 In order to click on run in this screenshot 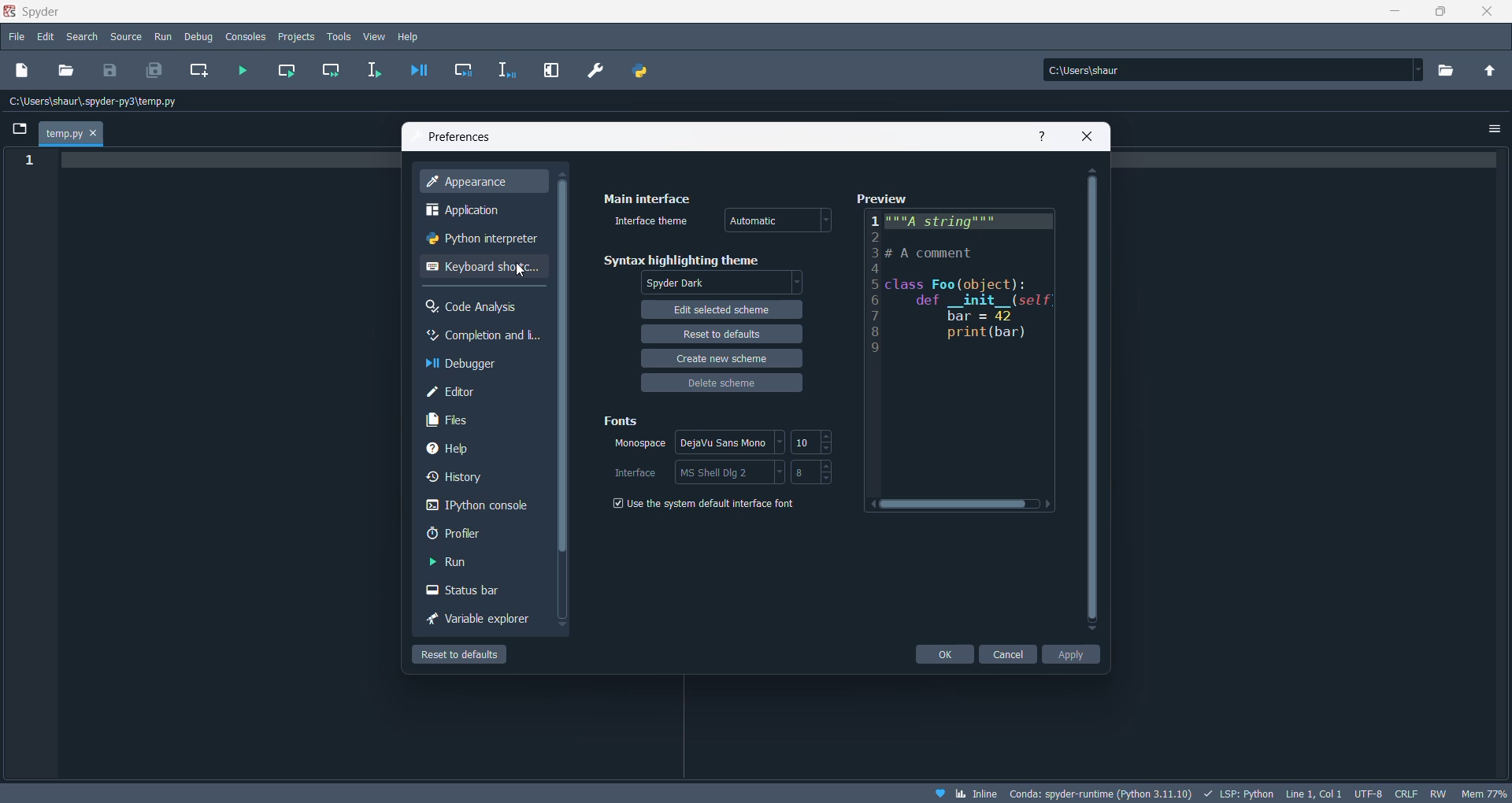, I will do `click(162, 38)`.